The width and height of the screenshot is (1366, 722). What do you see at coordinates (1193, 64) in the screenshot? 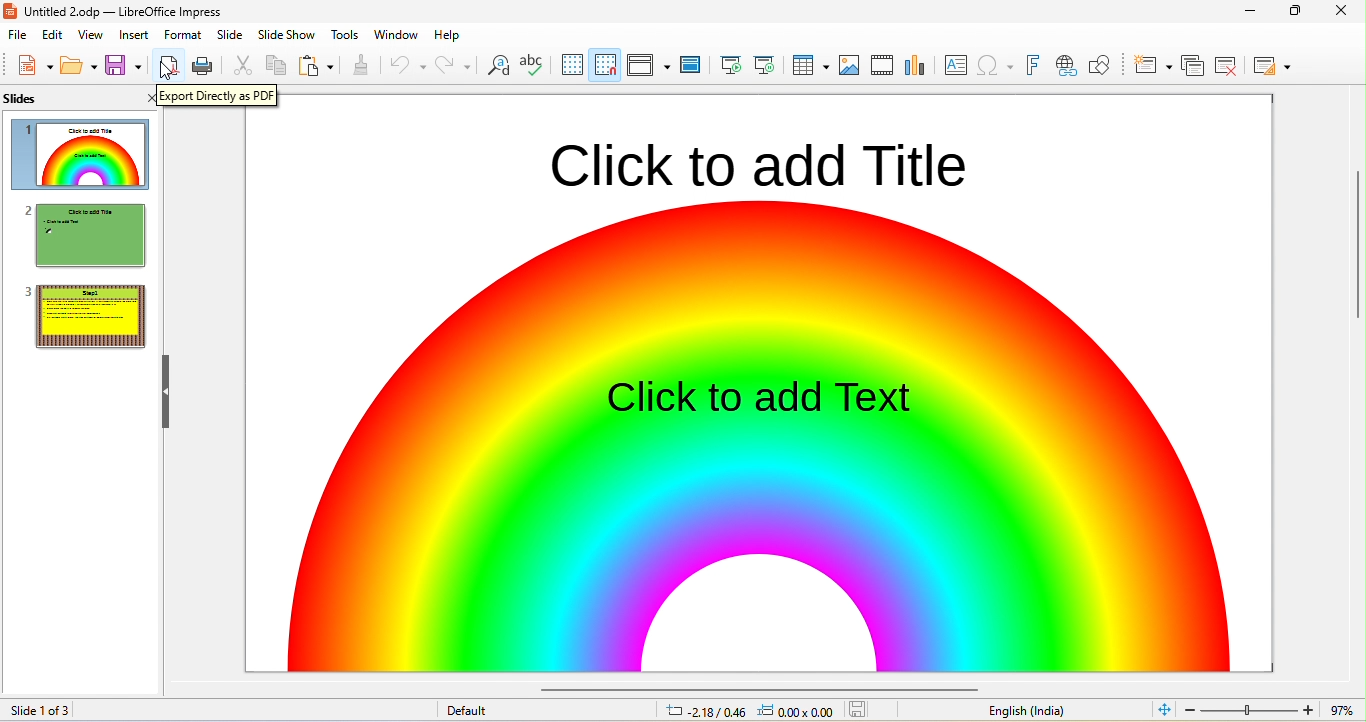
I see `duplicate slide` at bounding box center [1193, 64].